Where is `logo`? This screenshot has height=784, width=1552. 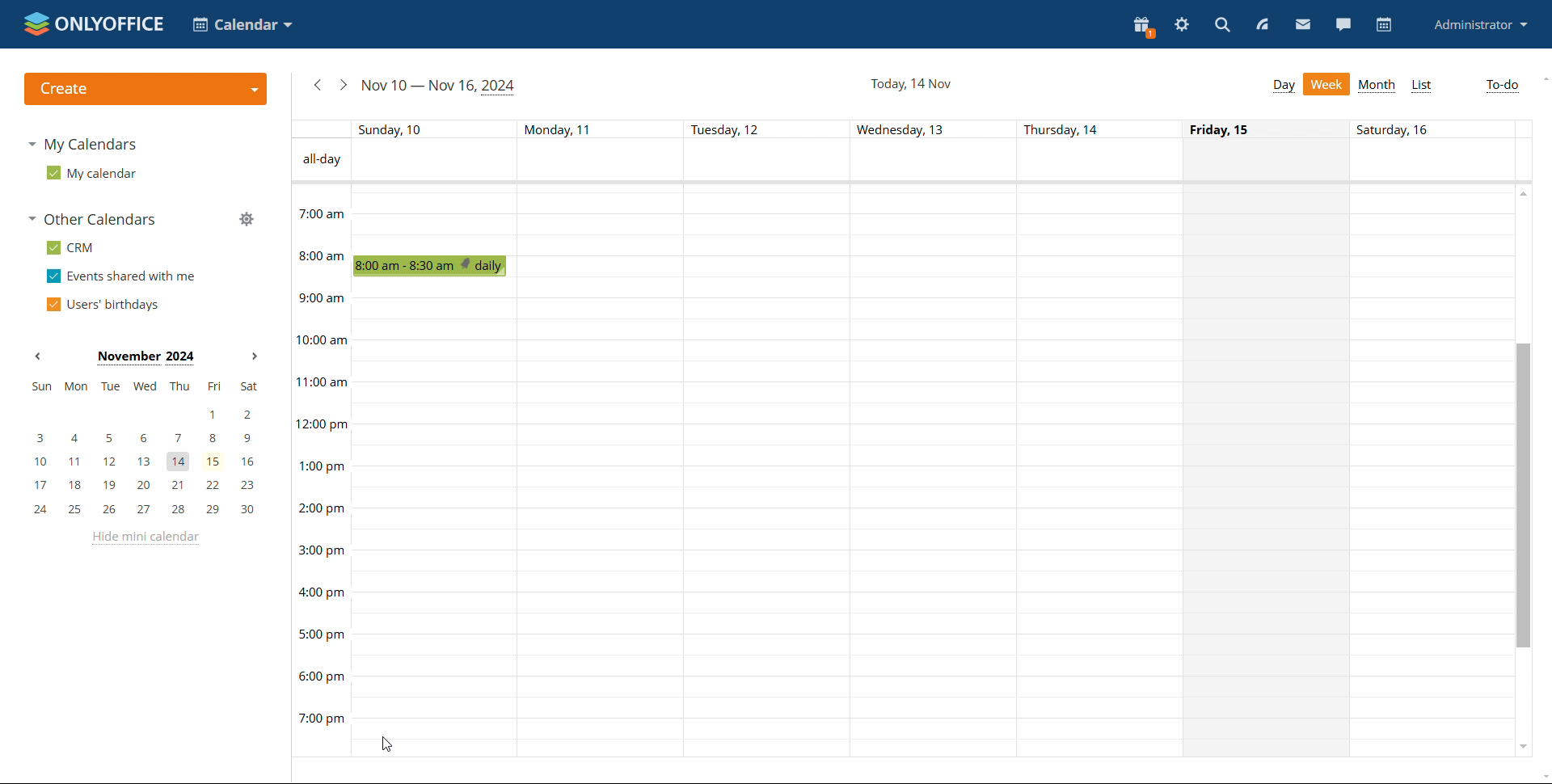 logo is located at coordinates (94, 23).